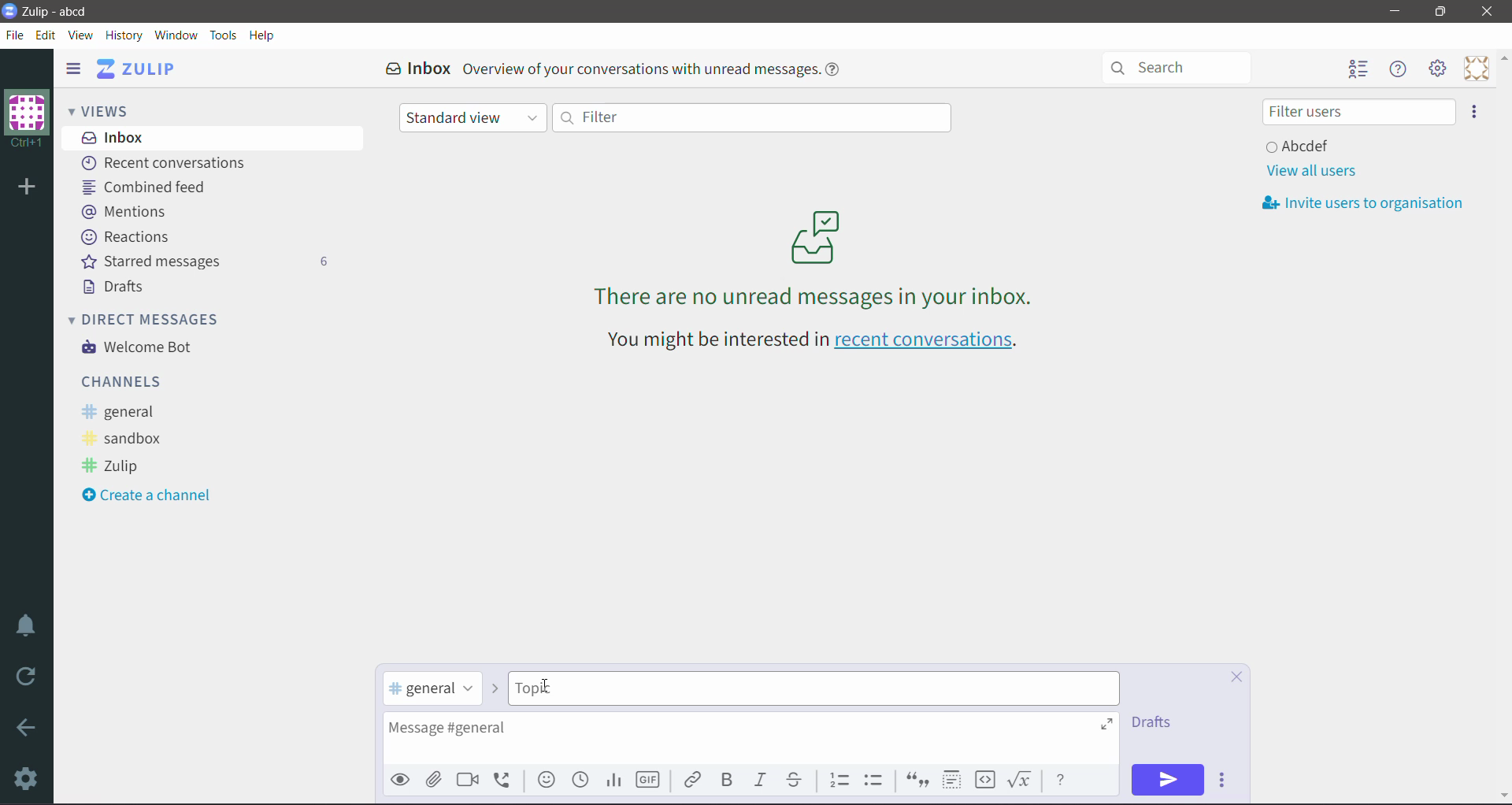 This screenshot has height=805, width=1512. Describe the element at coordinates (124, 412) in the screenshot. I see `general` at that location.